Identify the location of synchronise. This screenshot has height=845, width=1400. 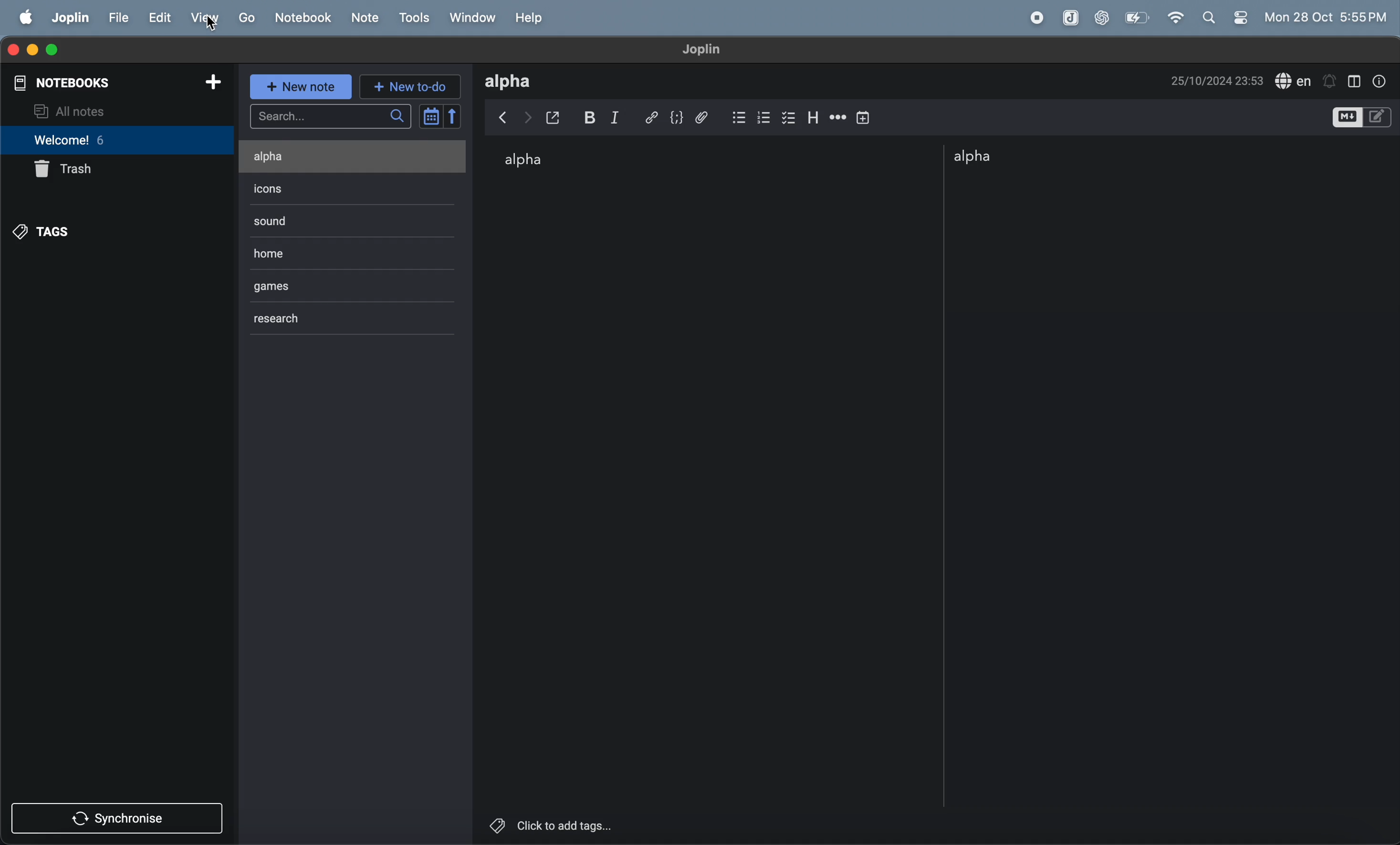
(121, 821).